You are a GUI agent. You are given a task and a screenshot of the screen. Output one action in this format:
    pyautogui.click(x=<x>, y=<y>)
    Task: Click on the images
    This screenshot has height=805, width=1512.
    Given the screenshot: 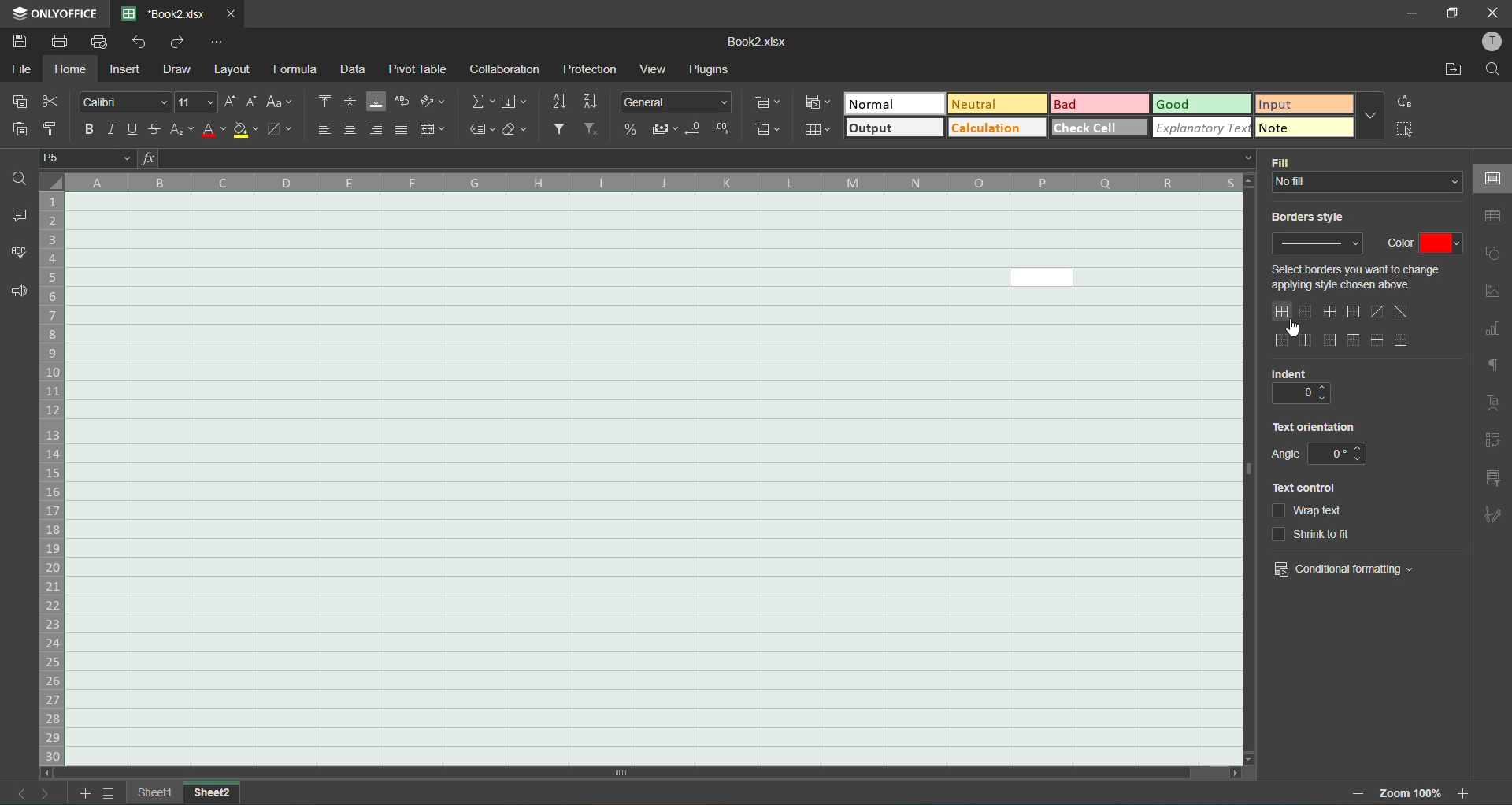 What is the action you would take?
    pyautogui.click(x=1496, y=292)
    